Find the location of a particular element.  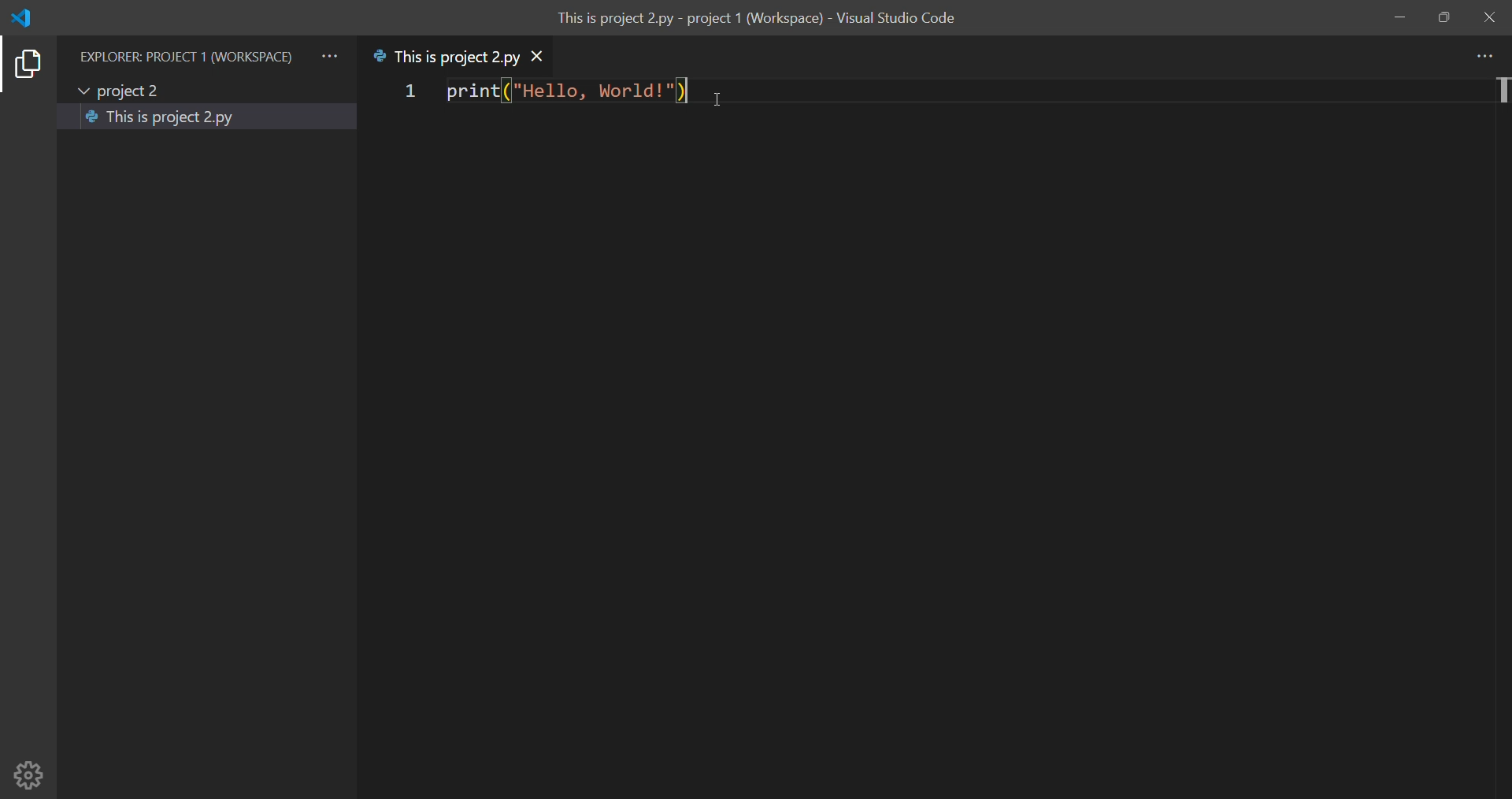

EXPLORER: PROJECT 1 (WORKSPACE) is located at coordinates (184, 50).